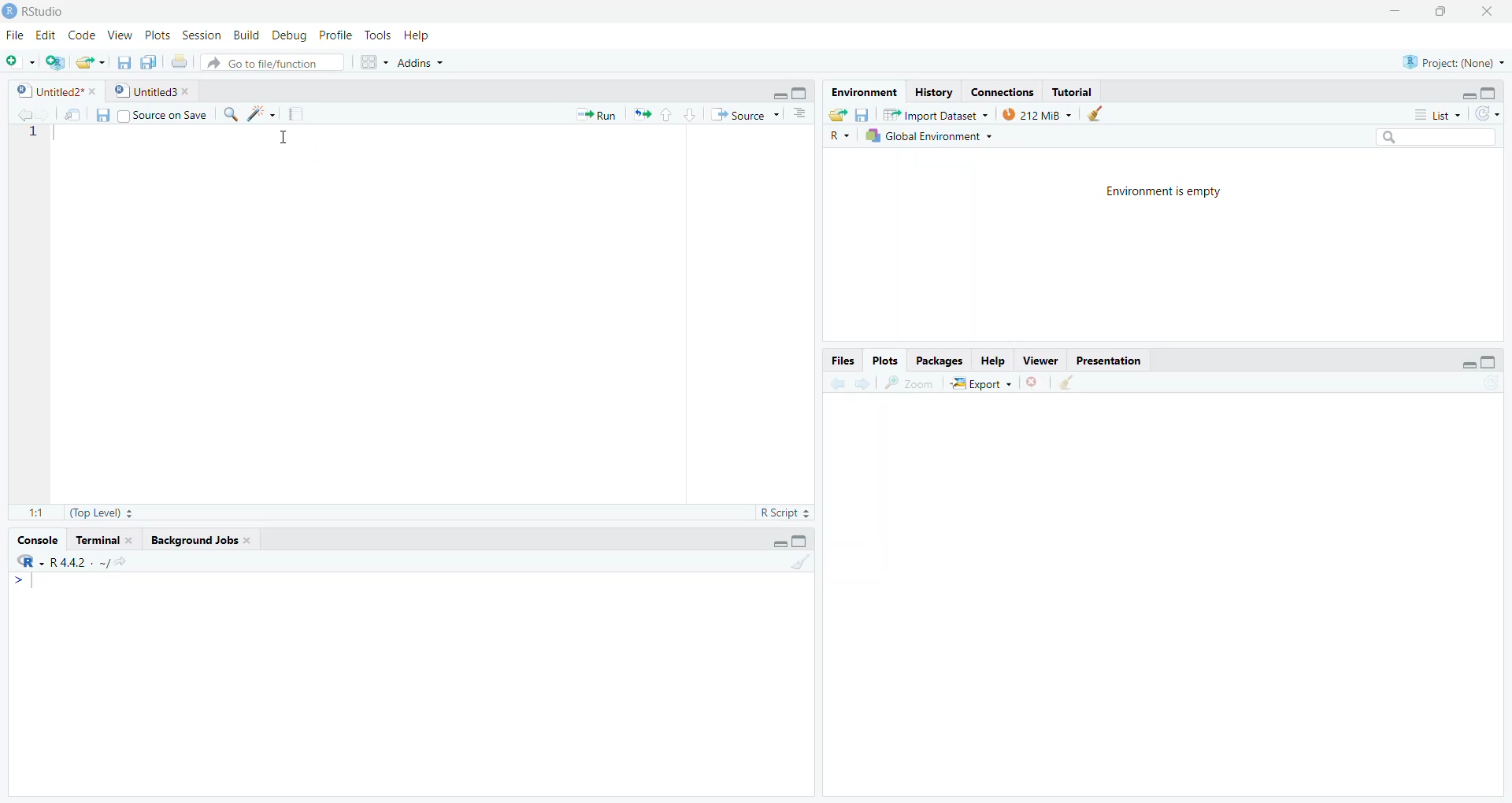 Image resolution: width=1512 pixels, height=803 pixels. I want to click on redo, so click(1489, 115).